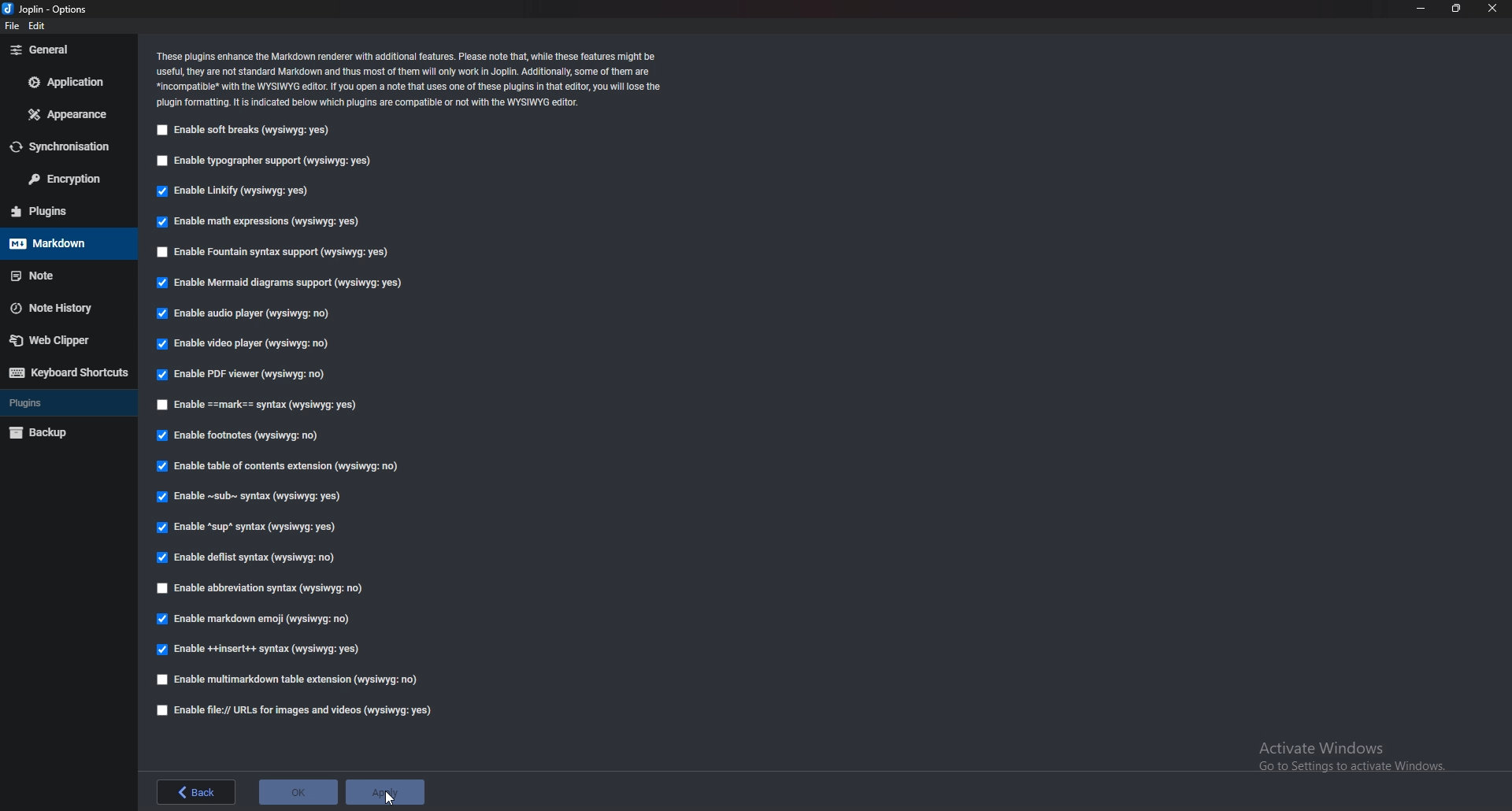  Describe the element at coordinates (1357, 754) in the screenshot. I see `activate windows` at that location.